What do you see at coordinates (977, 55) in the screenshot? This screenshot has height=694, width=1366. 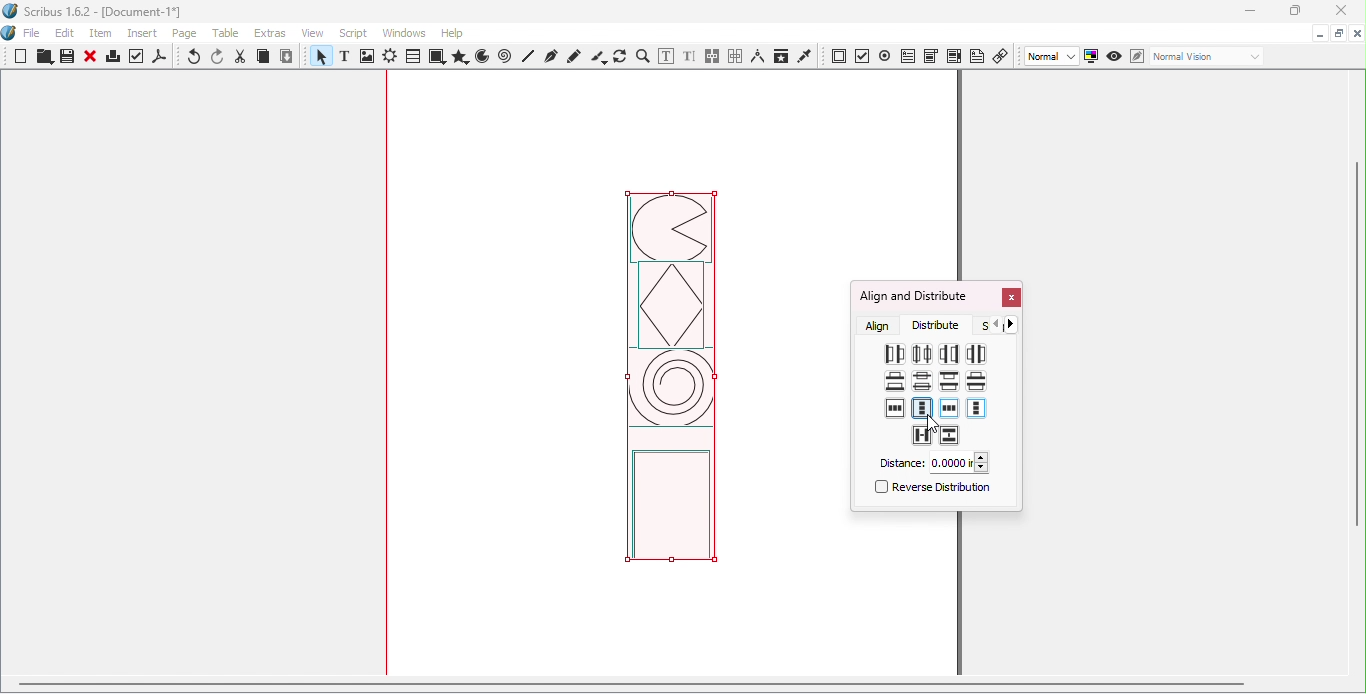 I see `Text annotation` at bounding box center [977, 55].